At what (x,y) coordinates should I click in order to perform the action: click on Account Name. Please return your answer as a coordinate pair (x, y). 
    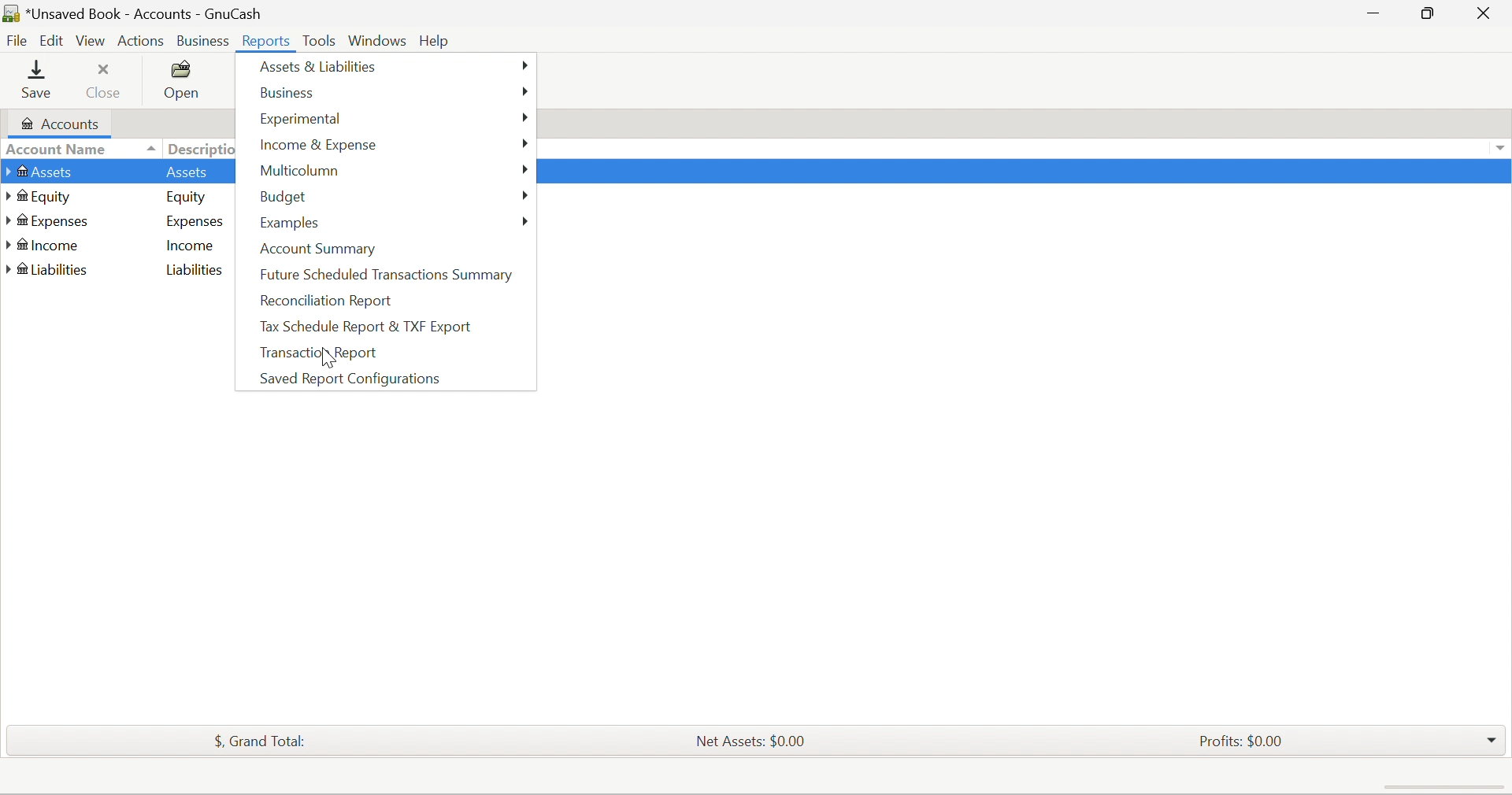
    Looking at the image, I should click on (57, 149).